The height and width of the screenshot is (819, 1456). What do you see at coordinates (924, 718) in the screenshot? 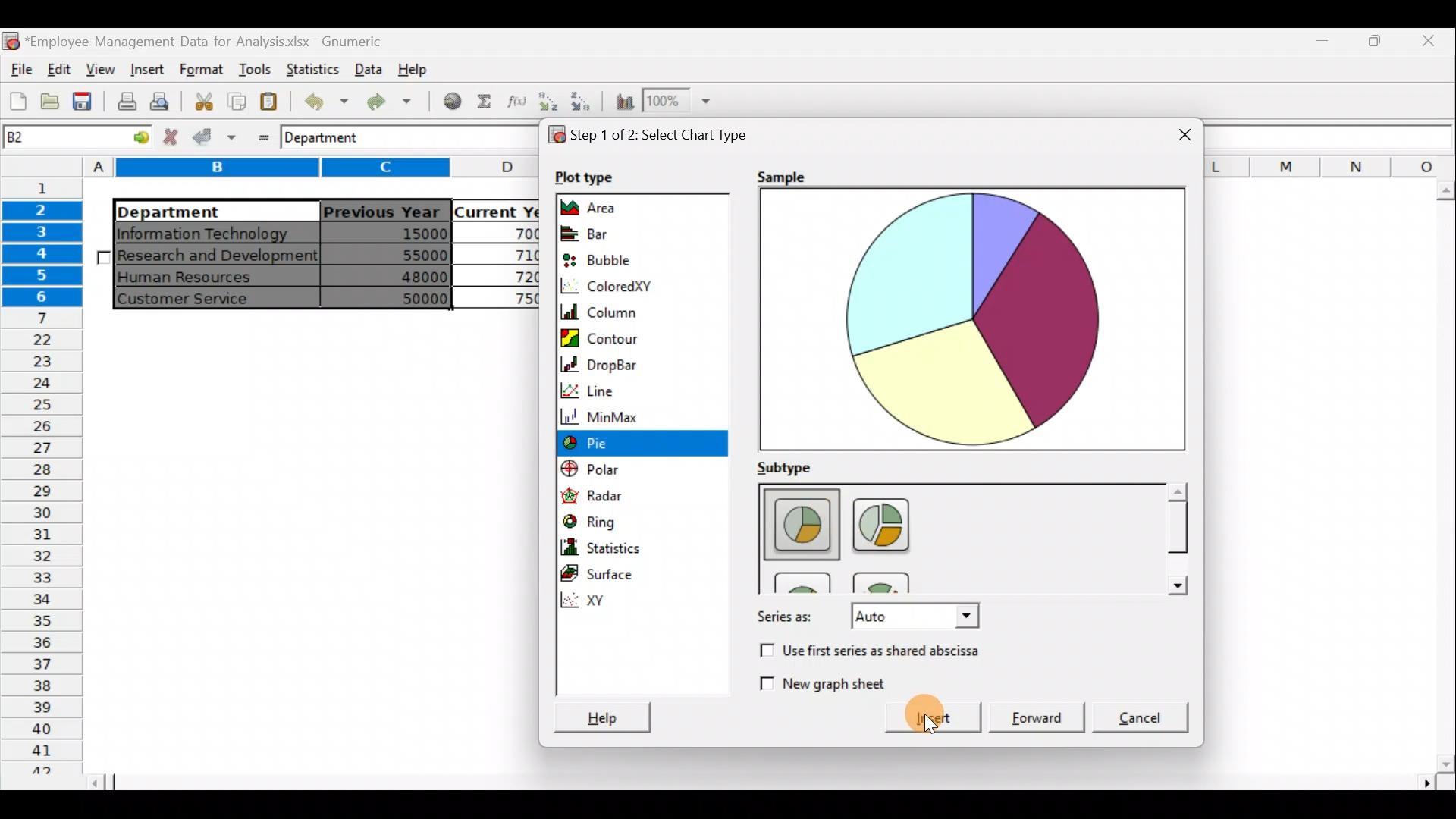
I see `Insert` at bounding box center [924, 718].